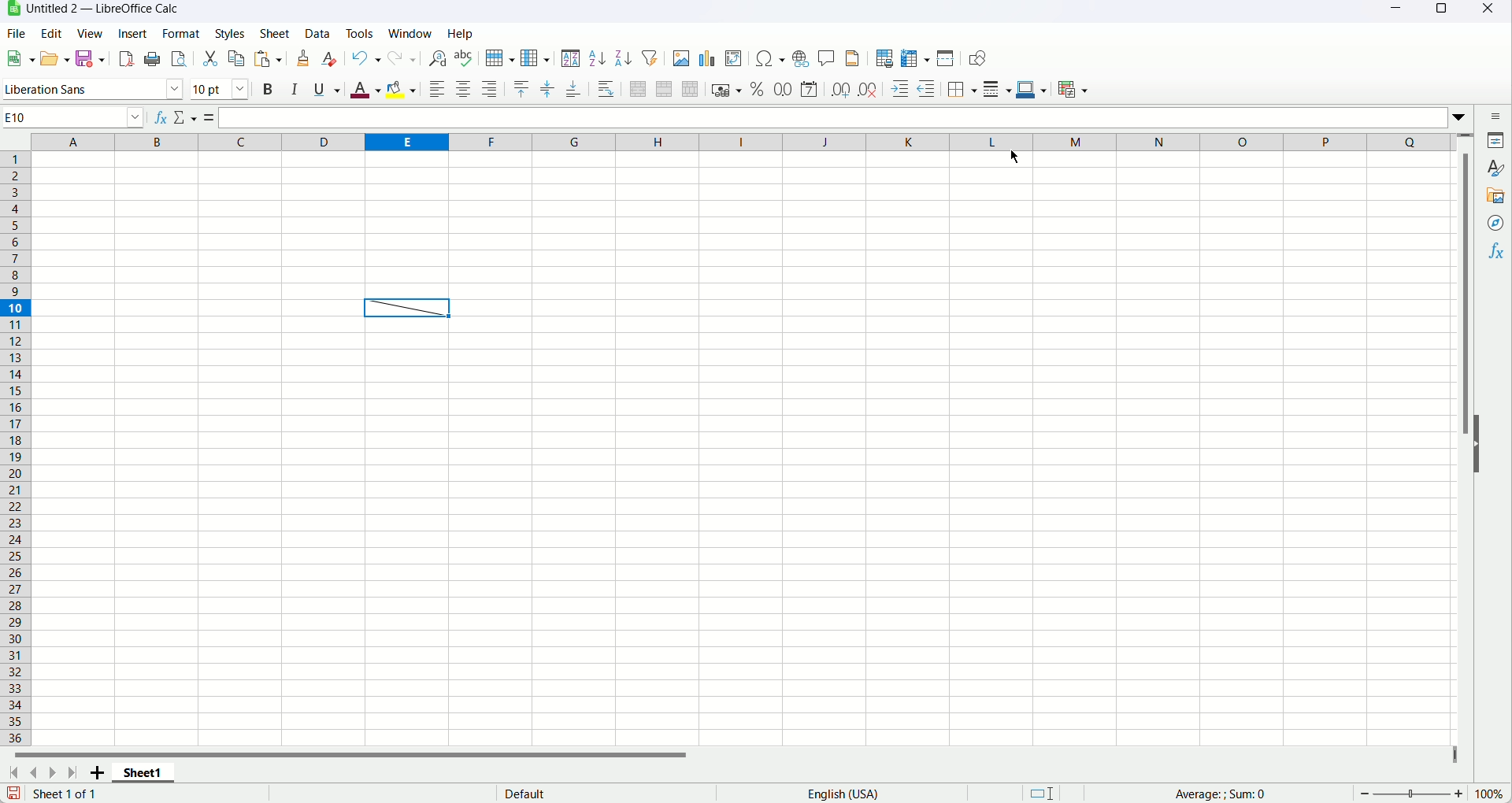 Image resolution: width=1512 pixels, height=803 pixels. I want to click on Cell, so click(409, 308).